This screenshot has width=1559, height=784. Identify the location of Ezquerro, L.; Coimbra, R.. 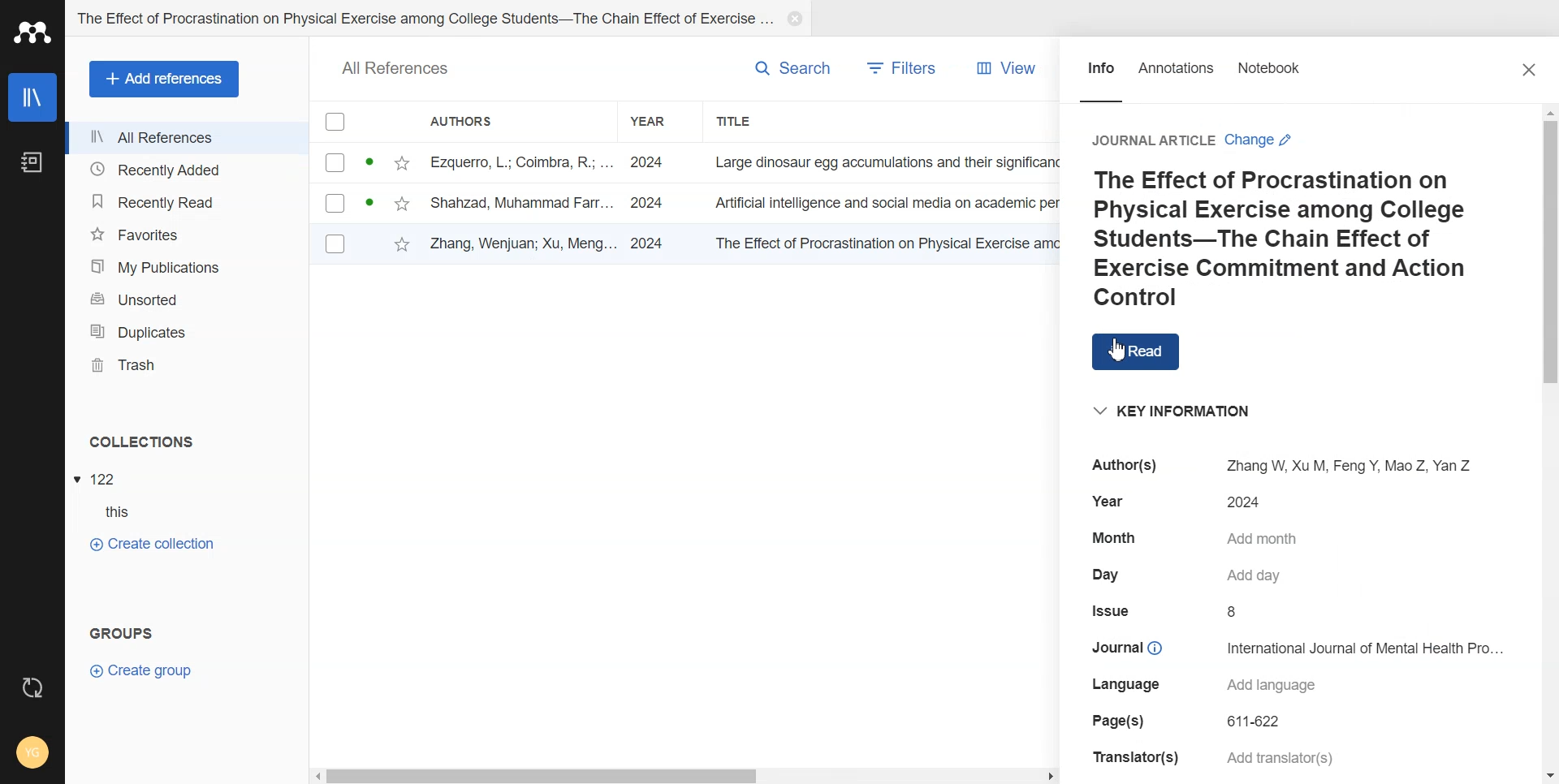
(510, 161).